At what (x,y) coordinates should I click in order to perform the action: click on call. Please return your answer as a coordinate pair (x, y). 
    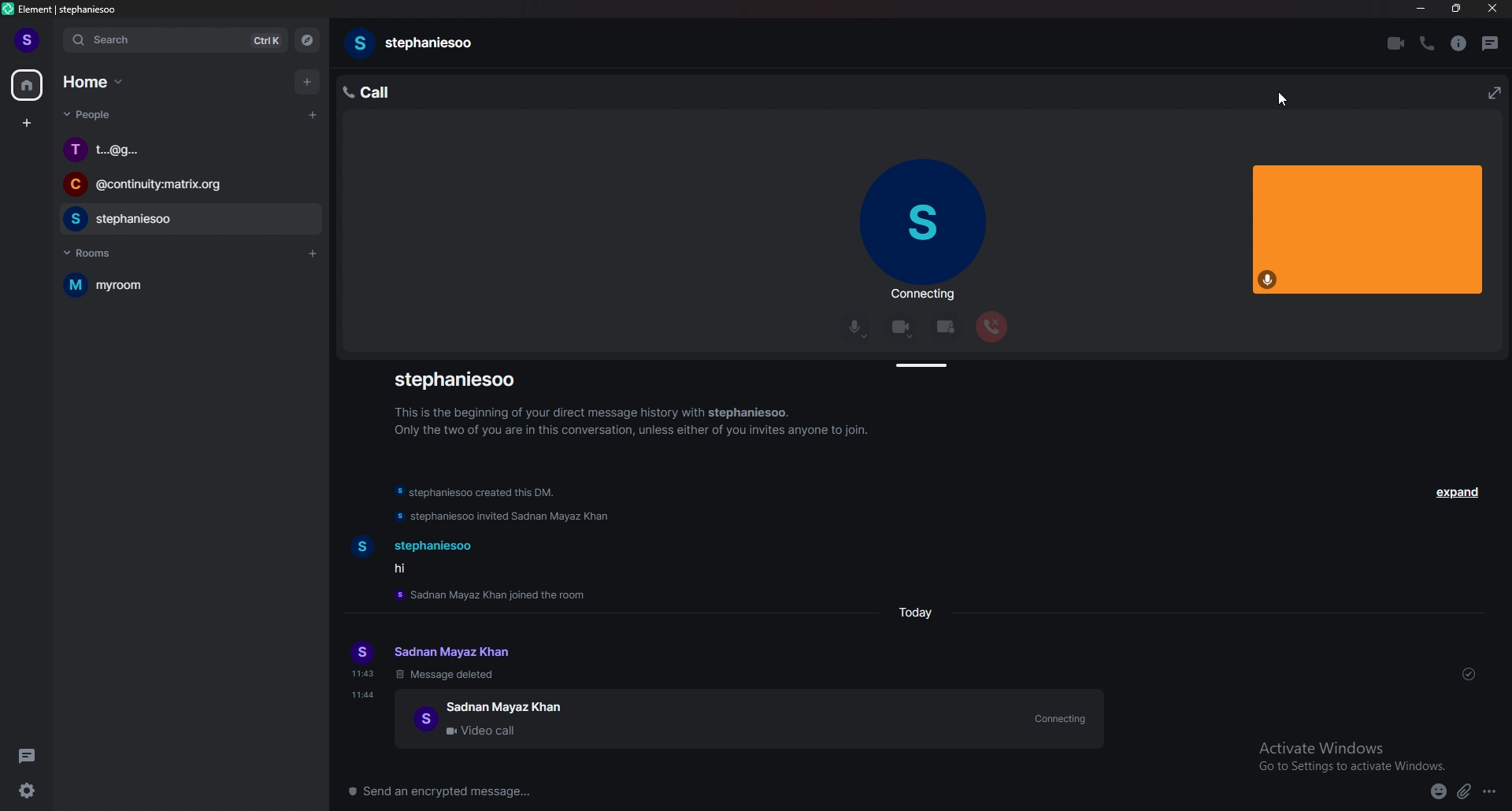
    Looking at the image, I should click on (382, 91).